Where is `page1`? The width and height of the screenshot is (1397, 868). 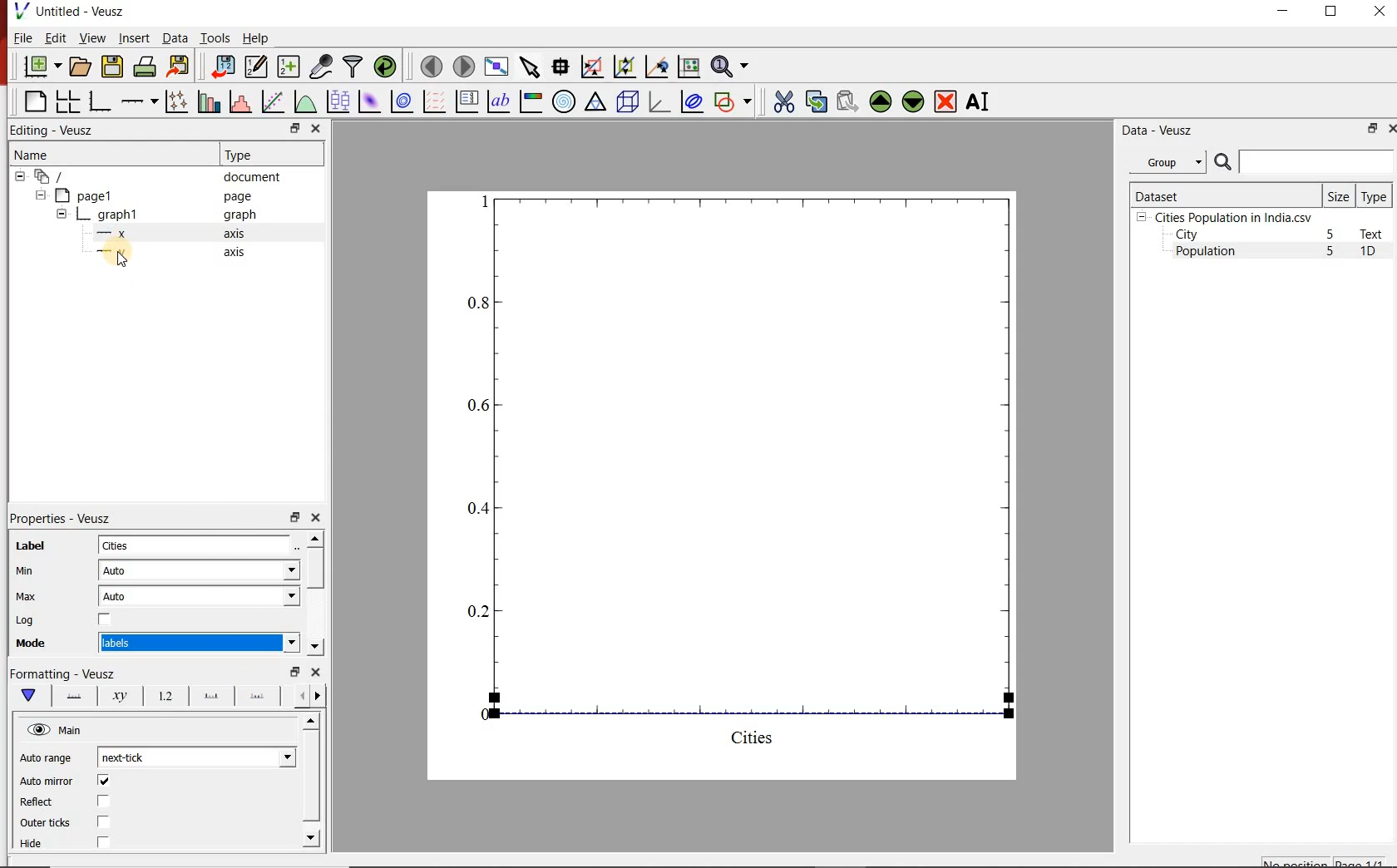 page1 is located at coordinates (149, 195).